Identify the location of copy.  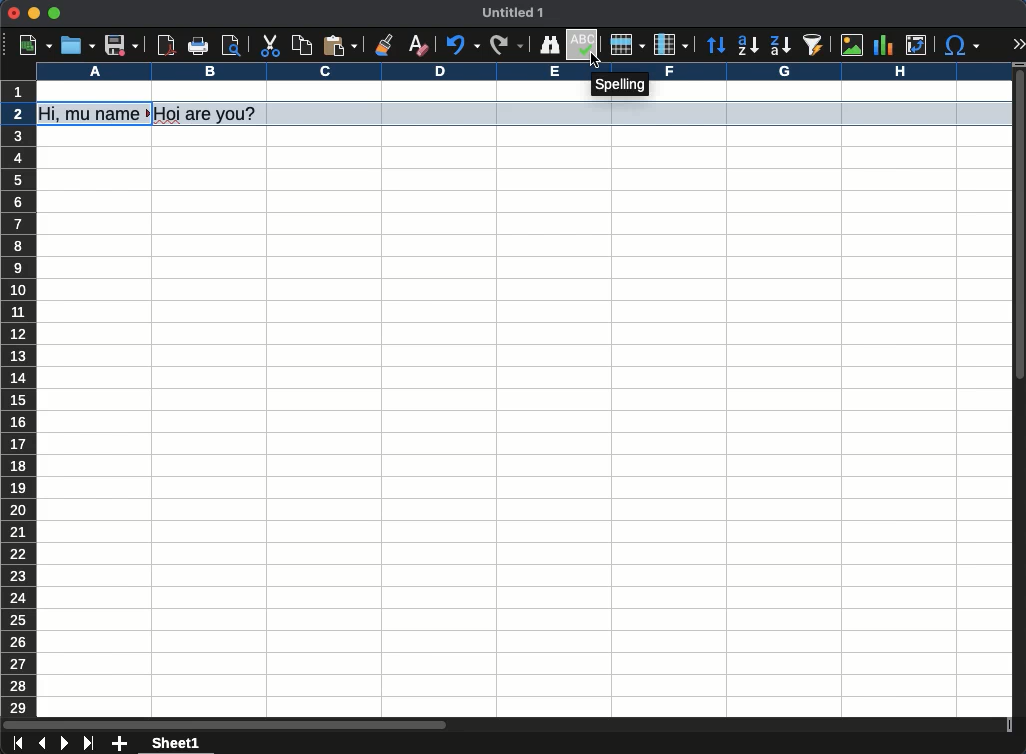
(302, 46).